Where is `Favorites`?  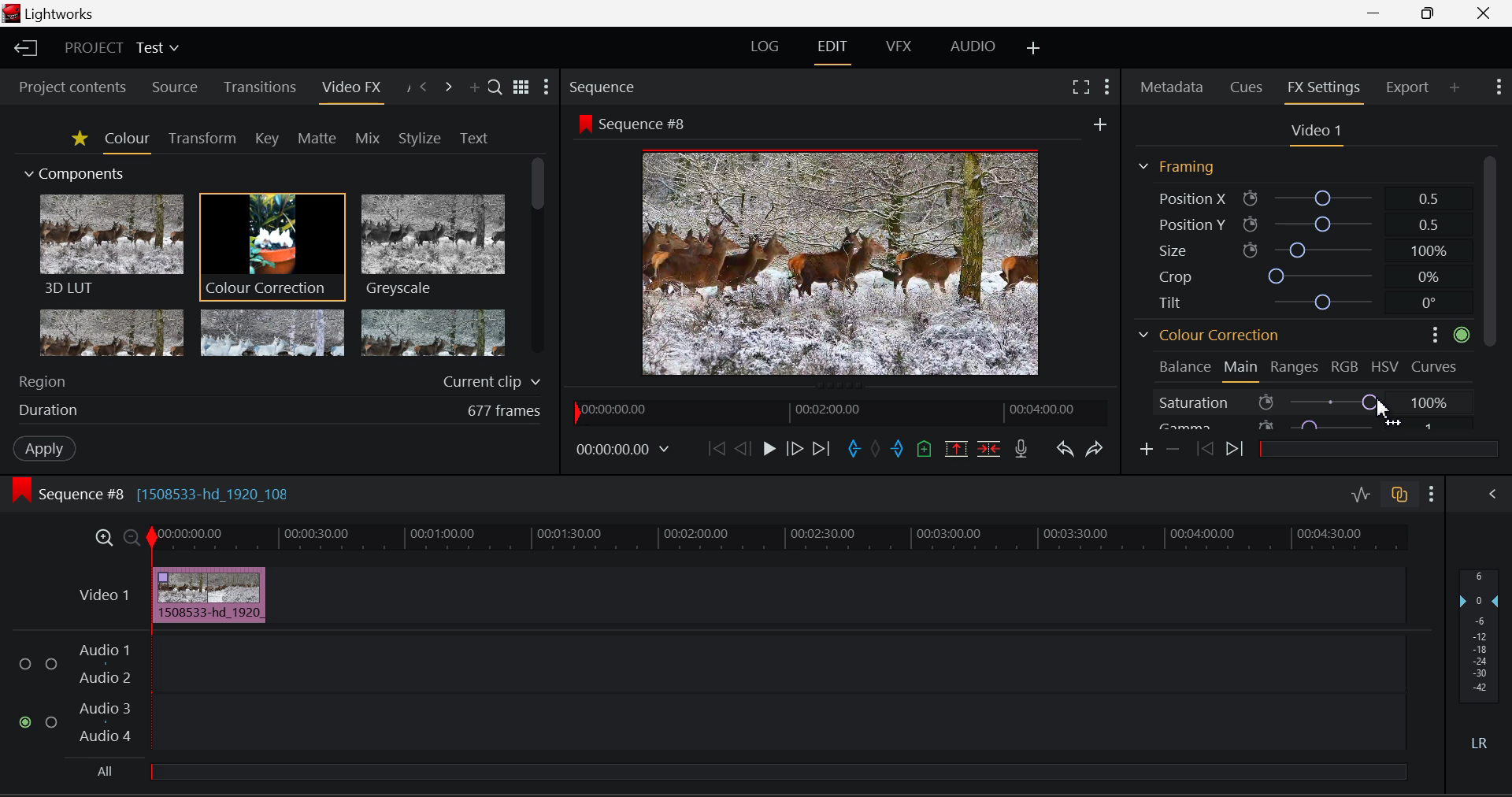 Favorites is located at coordinates (77, 139).